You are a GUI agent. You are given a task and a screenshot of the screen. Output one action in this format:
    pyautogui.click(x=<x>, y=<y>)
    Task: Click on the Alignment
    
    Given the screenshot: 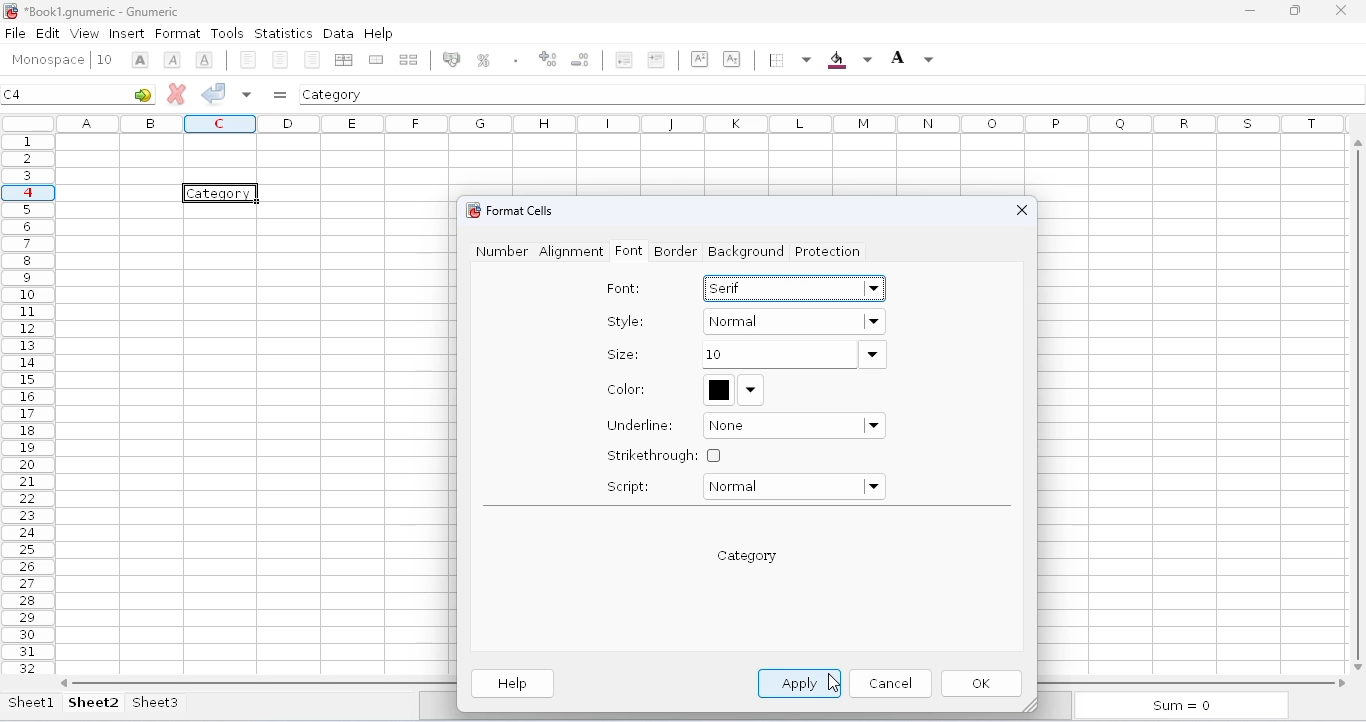 What is the action you would take?
    pyautogui.click(x=572, y=253)
    